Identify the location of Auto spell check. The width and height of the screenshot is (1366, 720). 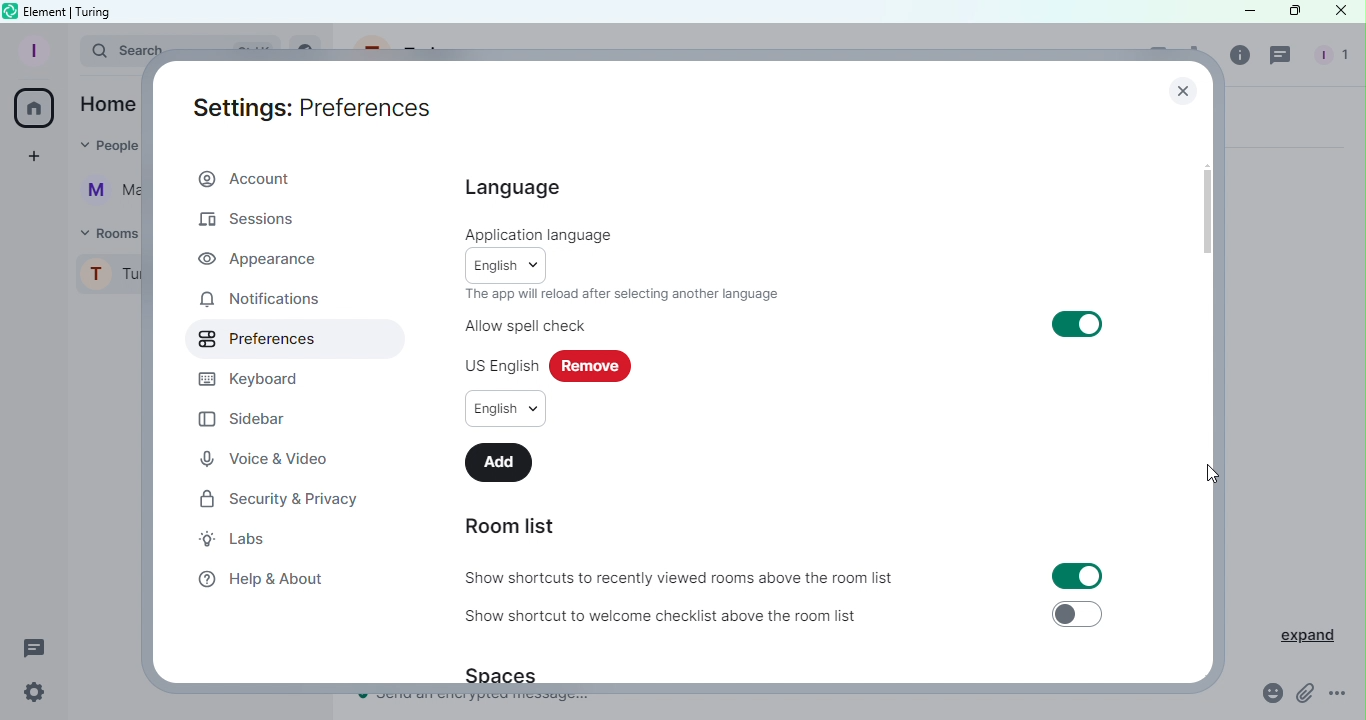
(525, 325).